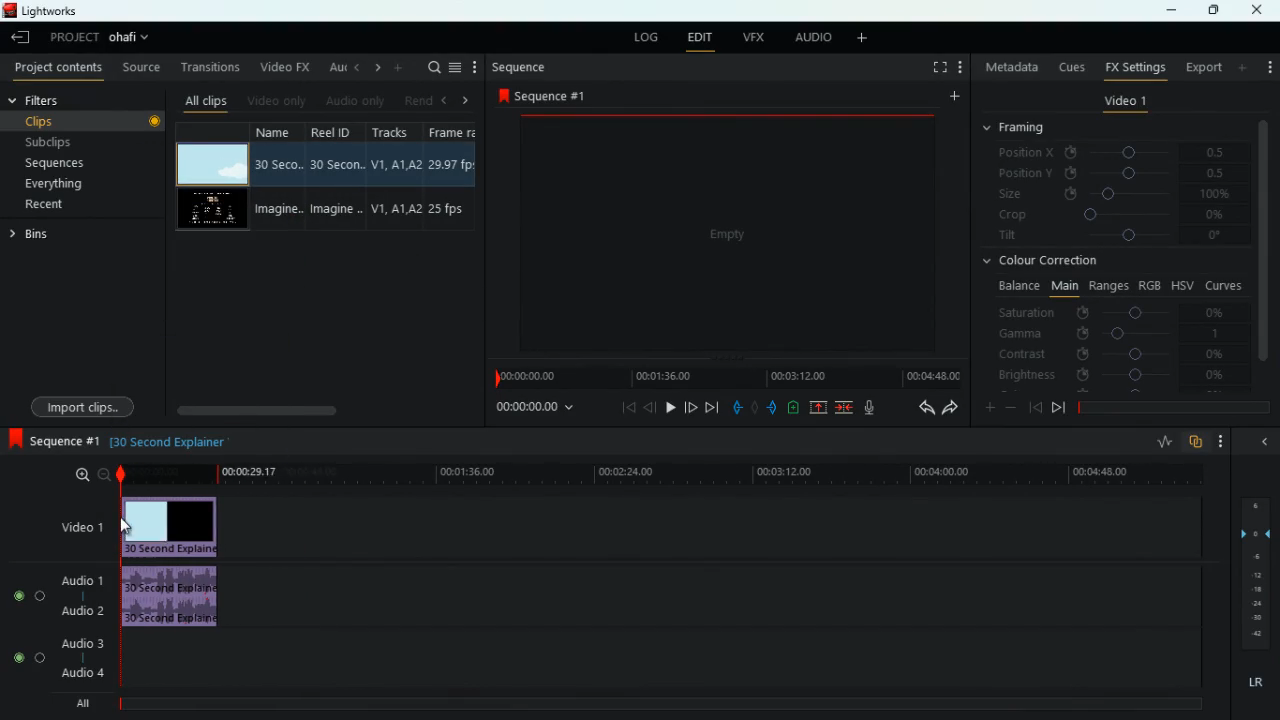 The image size is (1280, 720). I want to click on add, so click(398, 69).